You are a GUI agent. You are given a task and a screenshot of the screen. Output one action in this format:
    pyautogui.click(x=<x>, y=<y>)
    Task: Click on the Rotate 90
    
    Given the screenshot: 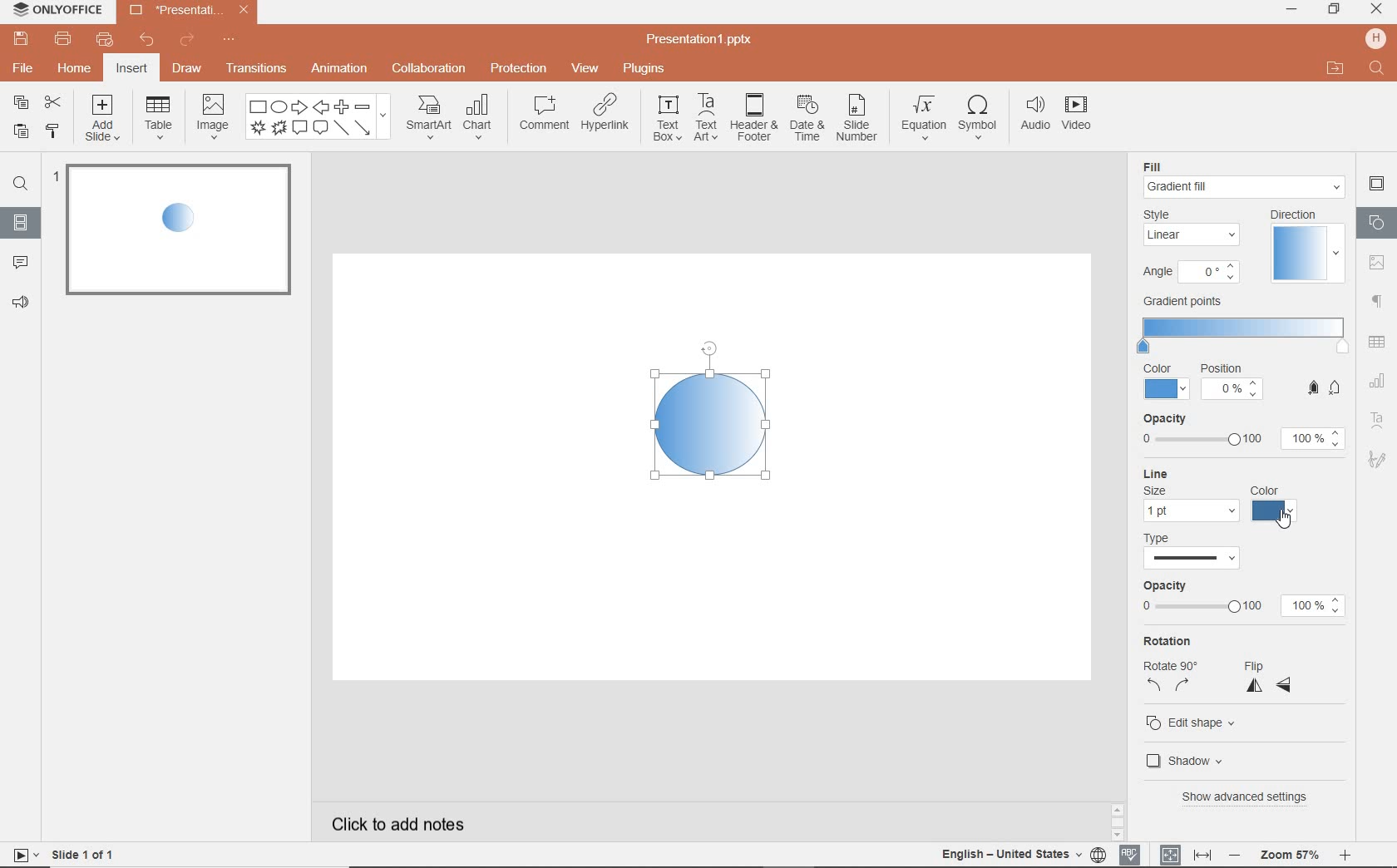 What is the action you would take?
    pyautogui.click(x=1170, y=667)
    